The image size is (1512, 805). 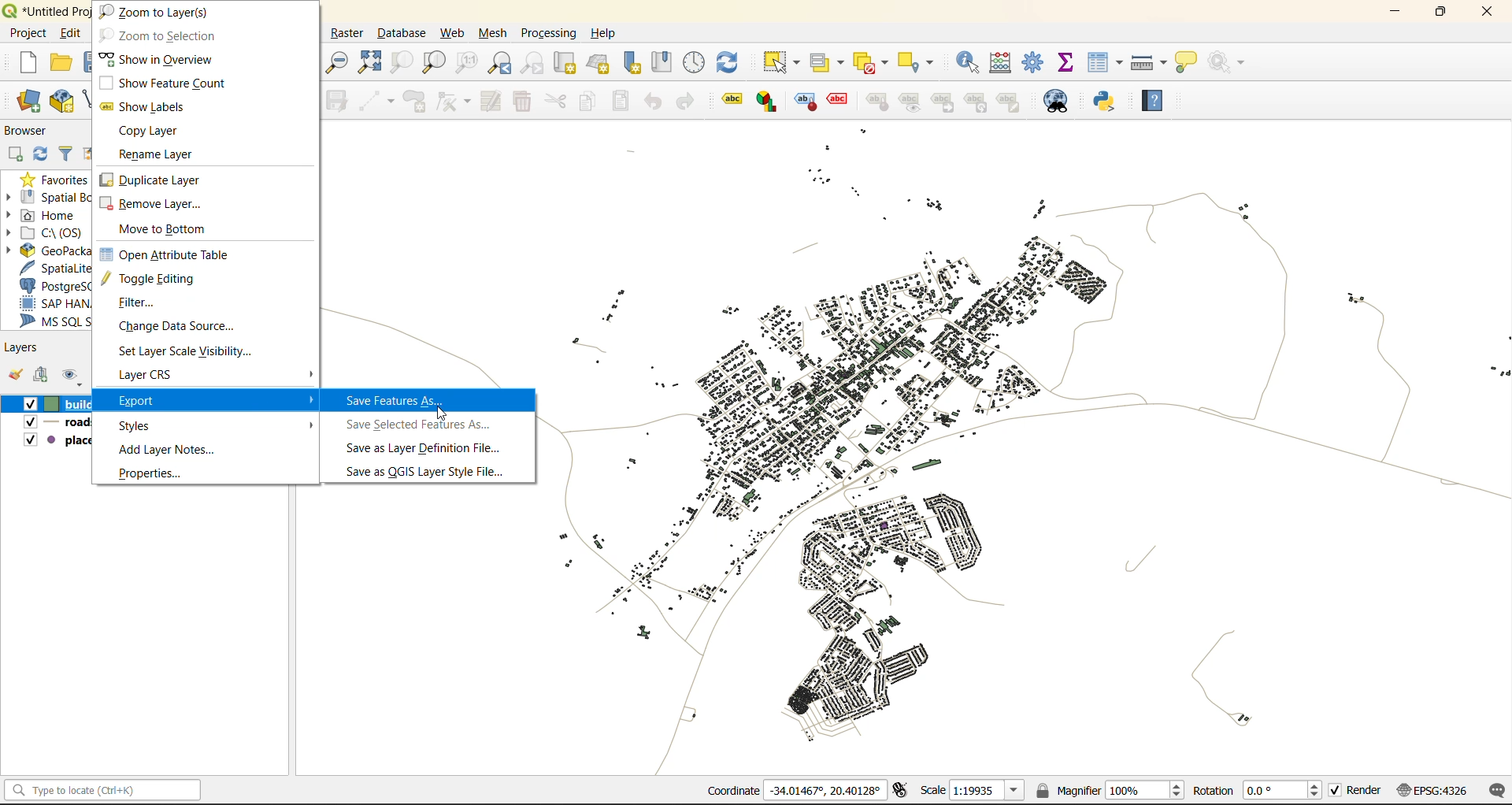 What do you see at coordinates (67, 153) in the screenshot?
I see `filter` at bounding box center [67, 153].